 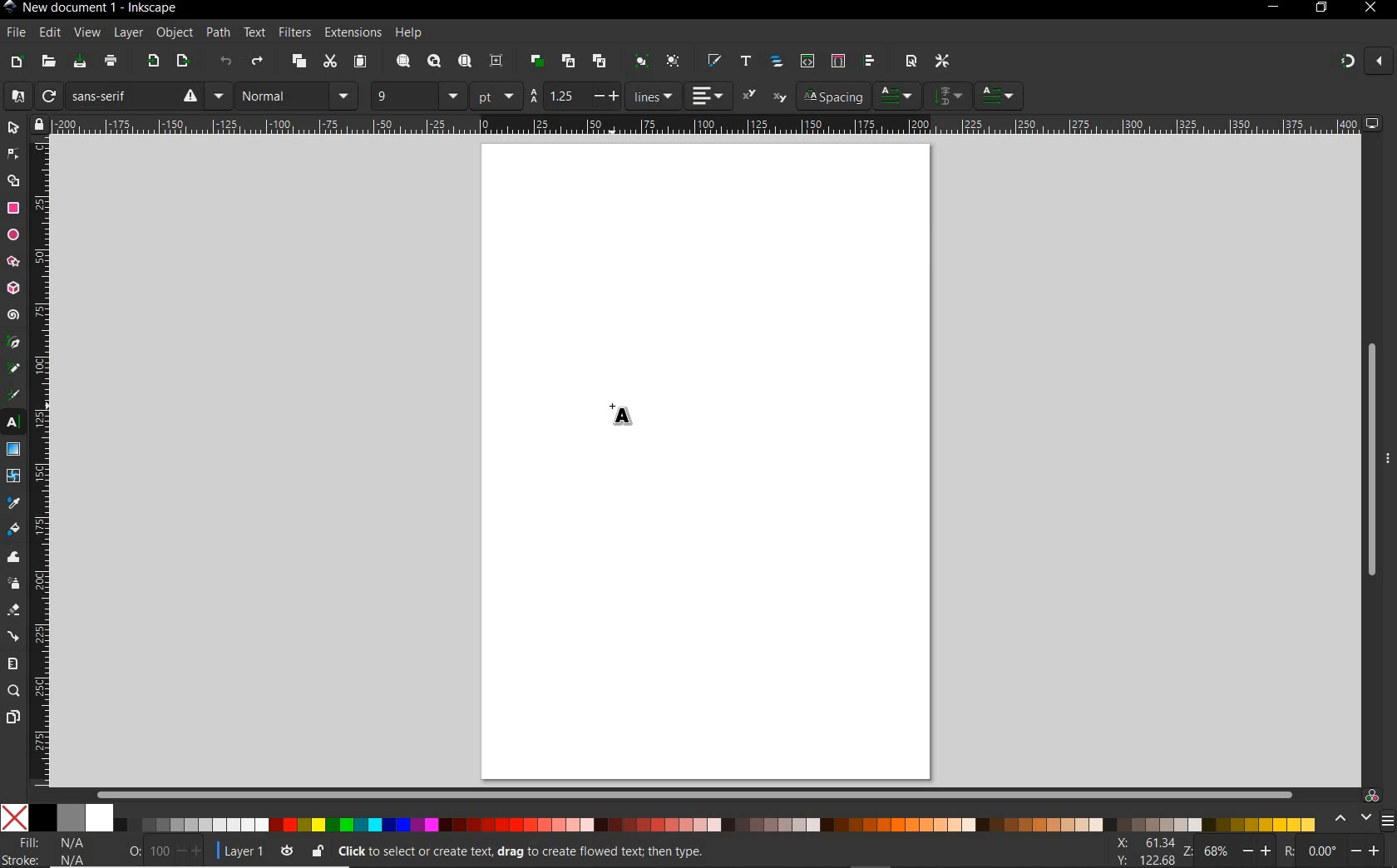 I want to click on allignment, so click(x=708, y=96).